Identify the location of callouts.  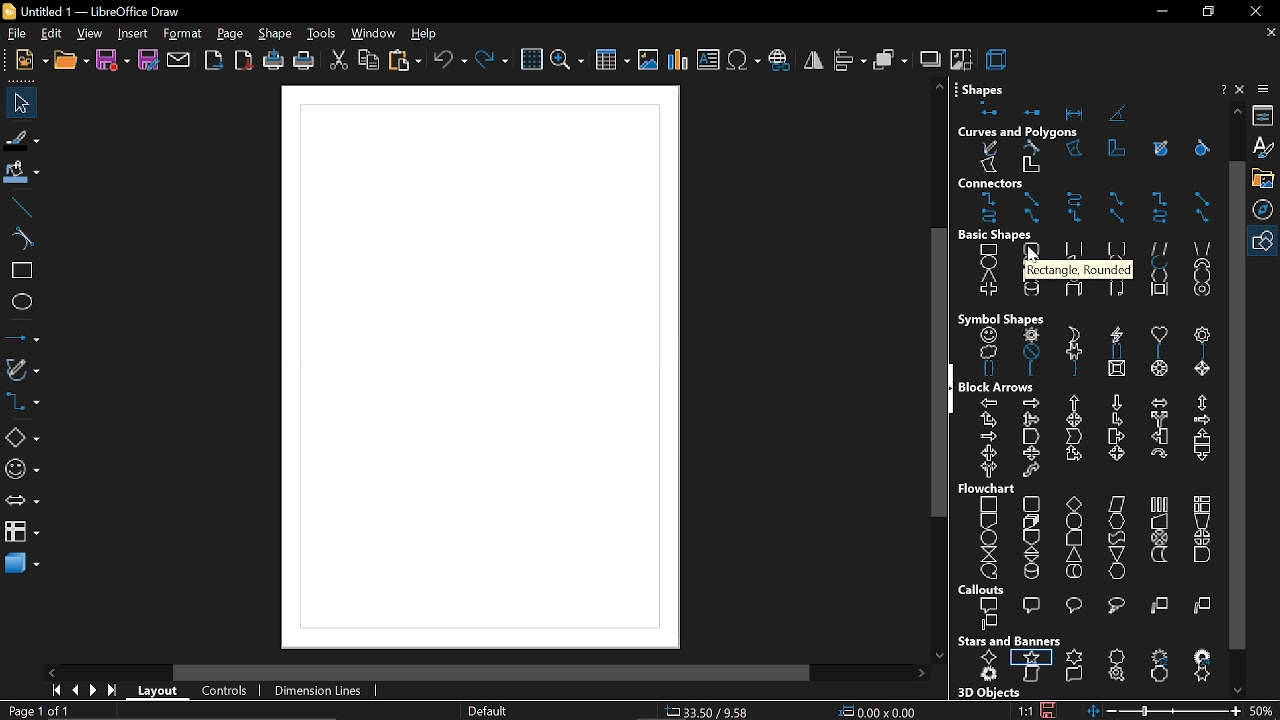
(985, 590).